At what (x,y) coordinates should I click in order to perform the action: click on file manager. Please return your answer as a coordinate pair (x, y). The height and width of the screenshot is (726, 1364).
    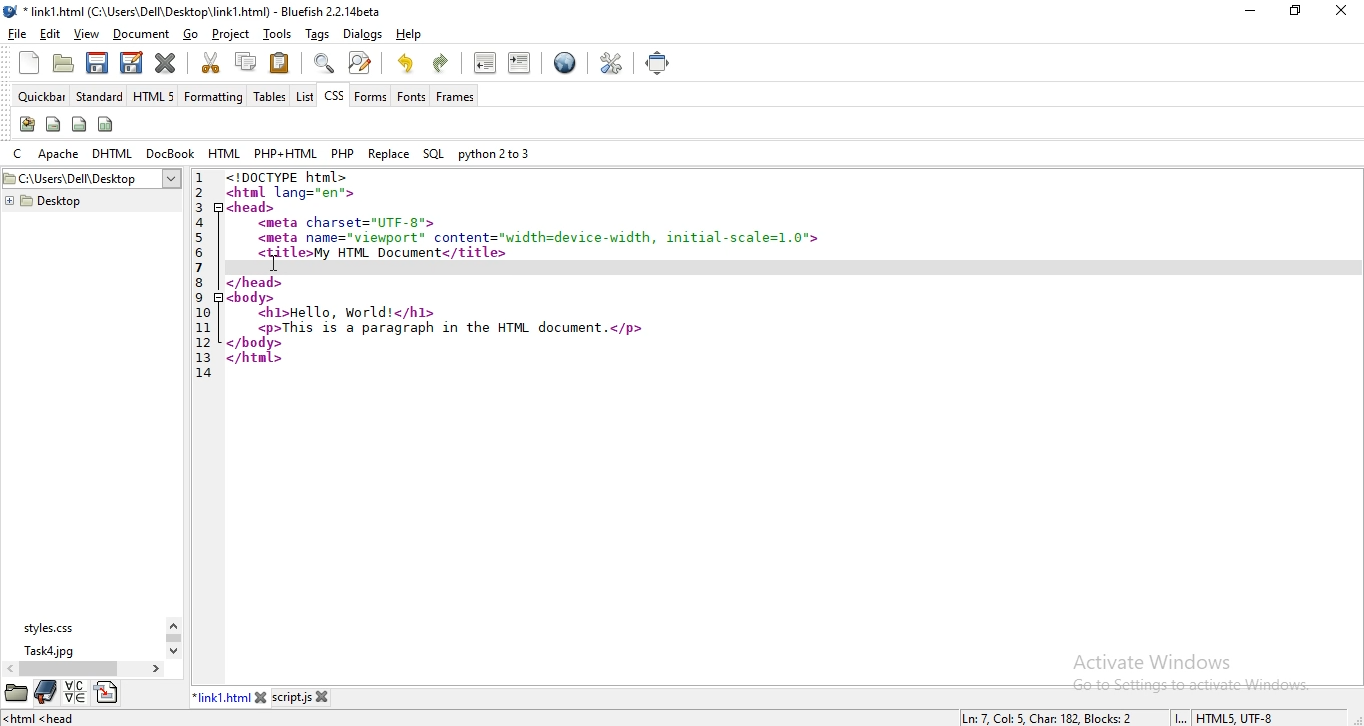
    Looking at the image, I should click on (16, 692).